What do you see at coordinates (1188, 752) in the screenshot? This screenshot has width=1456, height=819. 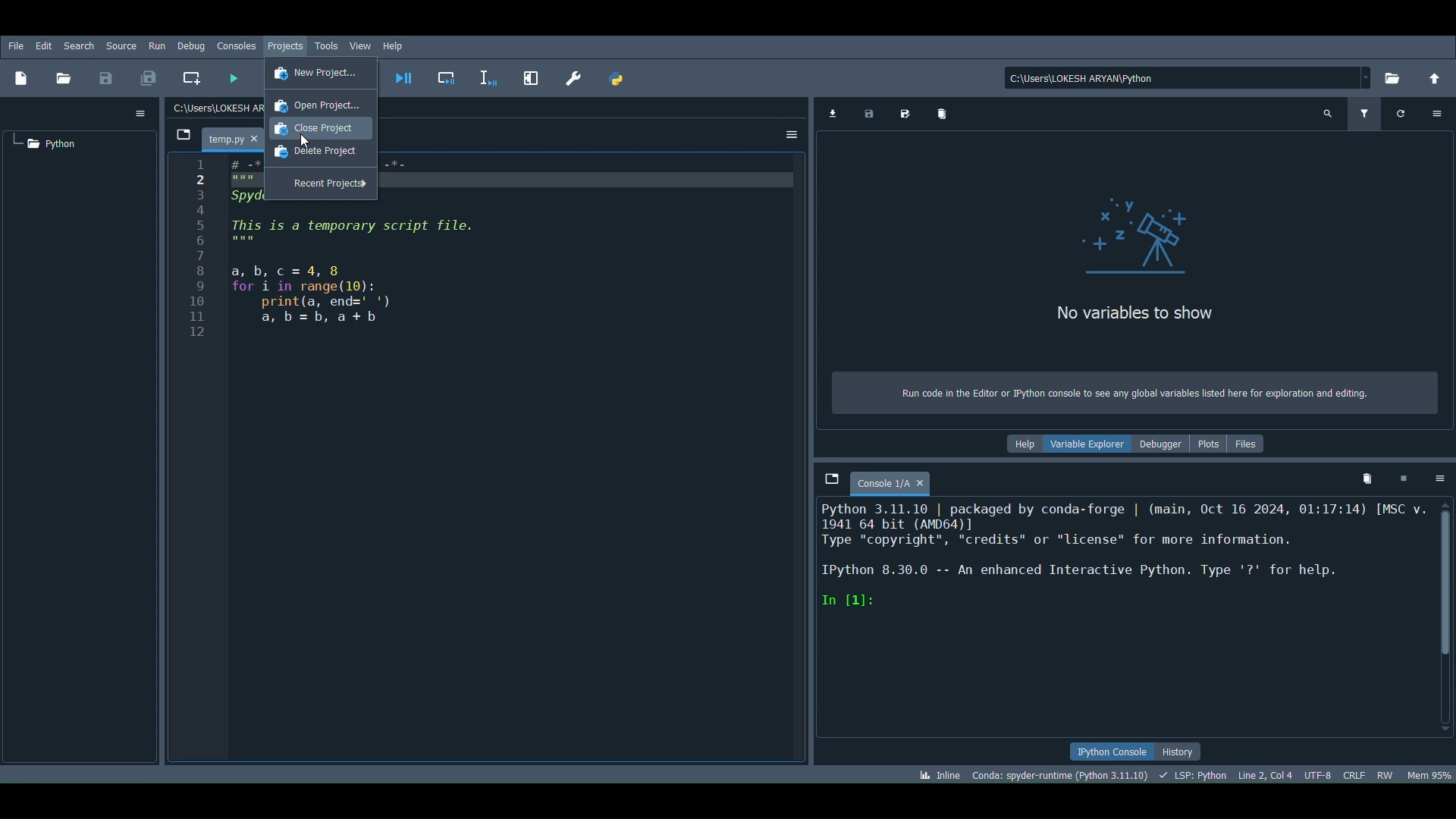 I see `History` at bounding box center [1188, 752].